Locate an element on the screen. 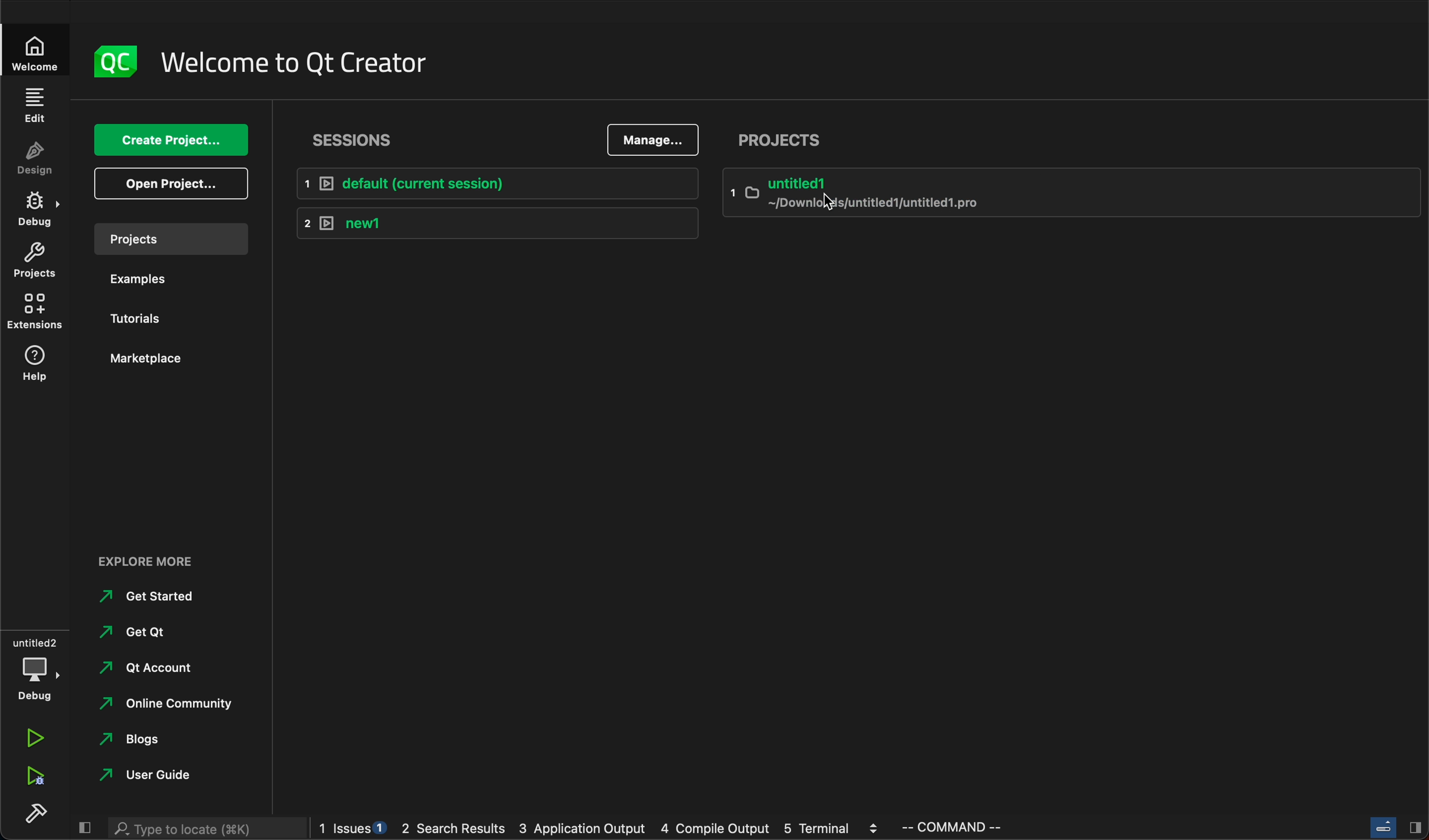 The width and height of the screenshot is (1429, 840). projects is located at coordinates (166, 238).